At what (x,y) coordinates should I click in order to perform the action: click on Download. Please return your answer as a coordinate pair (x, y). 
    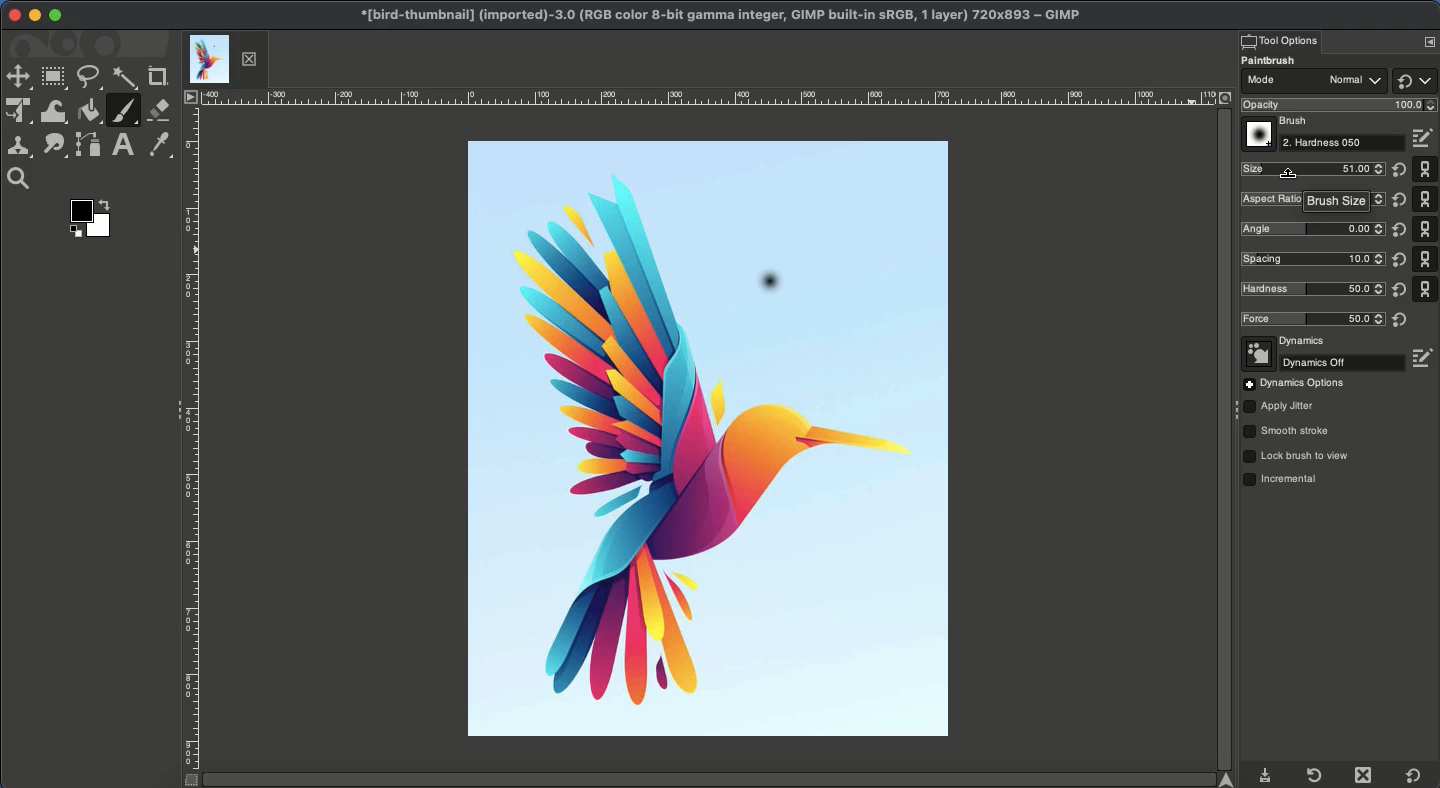
    Looking at the image, I should click on (1266, 777).